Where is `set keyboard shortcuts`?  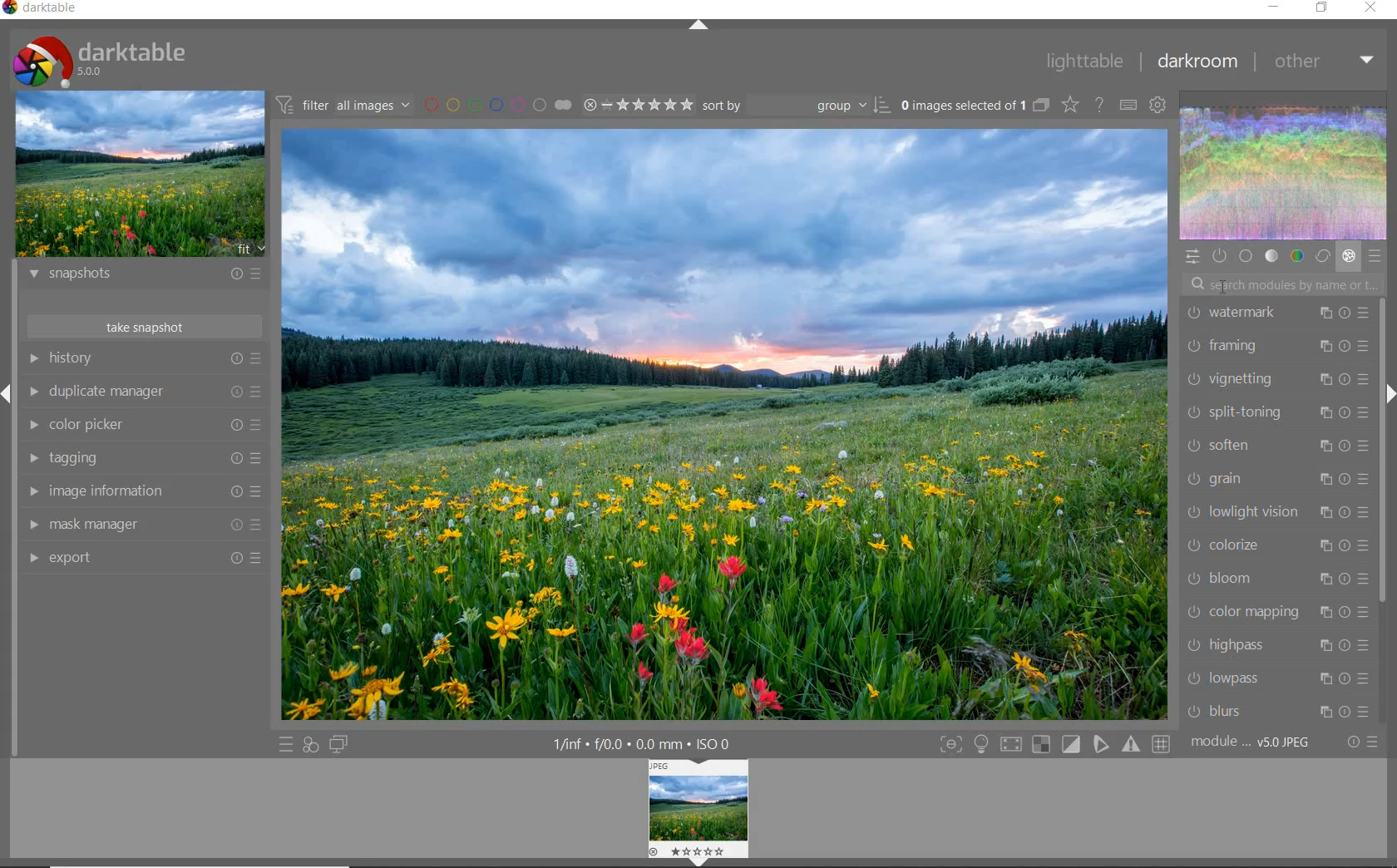 set keyboard shortcuts is located at coordinates (1129, 106).